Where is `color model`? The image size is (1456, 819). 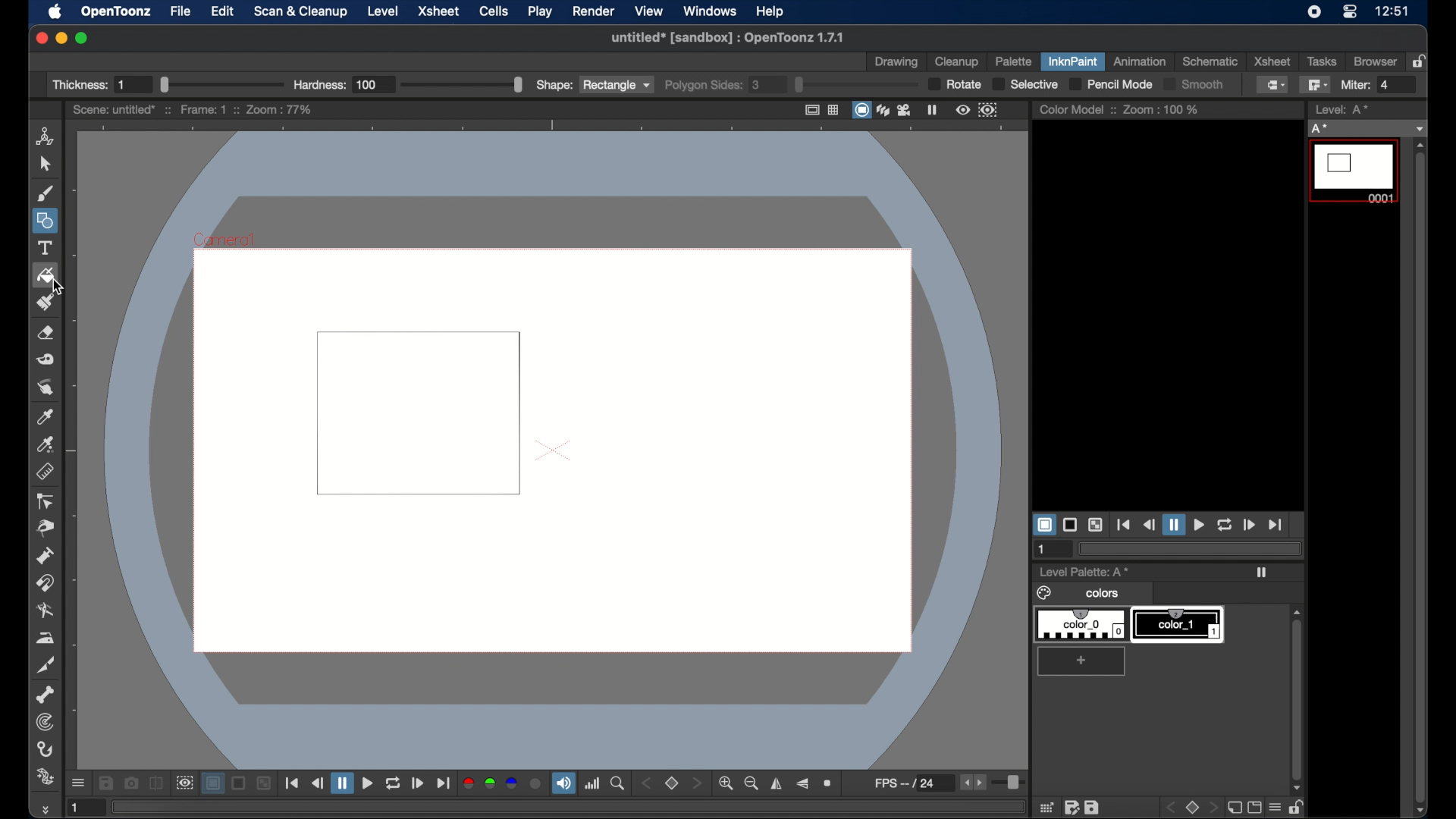 color model is located at coordinates (1077, 108).